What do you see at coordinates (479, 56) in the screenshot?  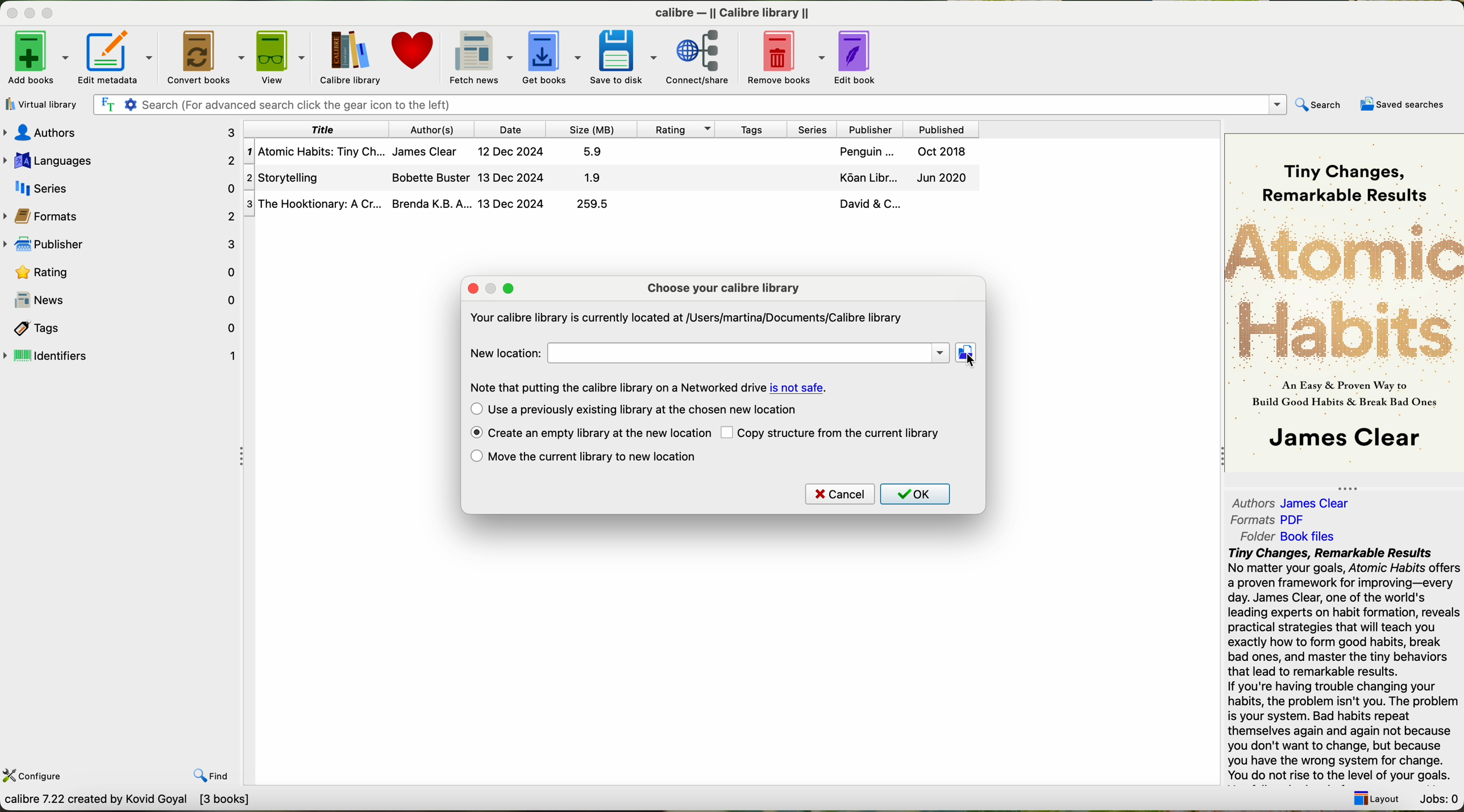 I see `fetch news` at bounding box center [479, 56].